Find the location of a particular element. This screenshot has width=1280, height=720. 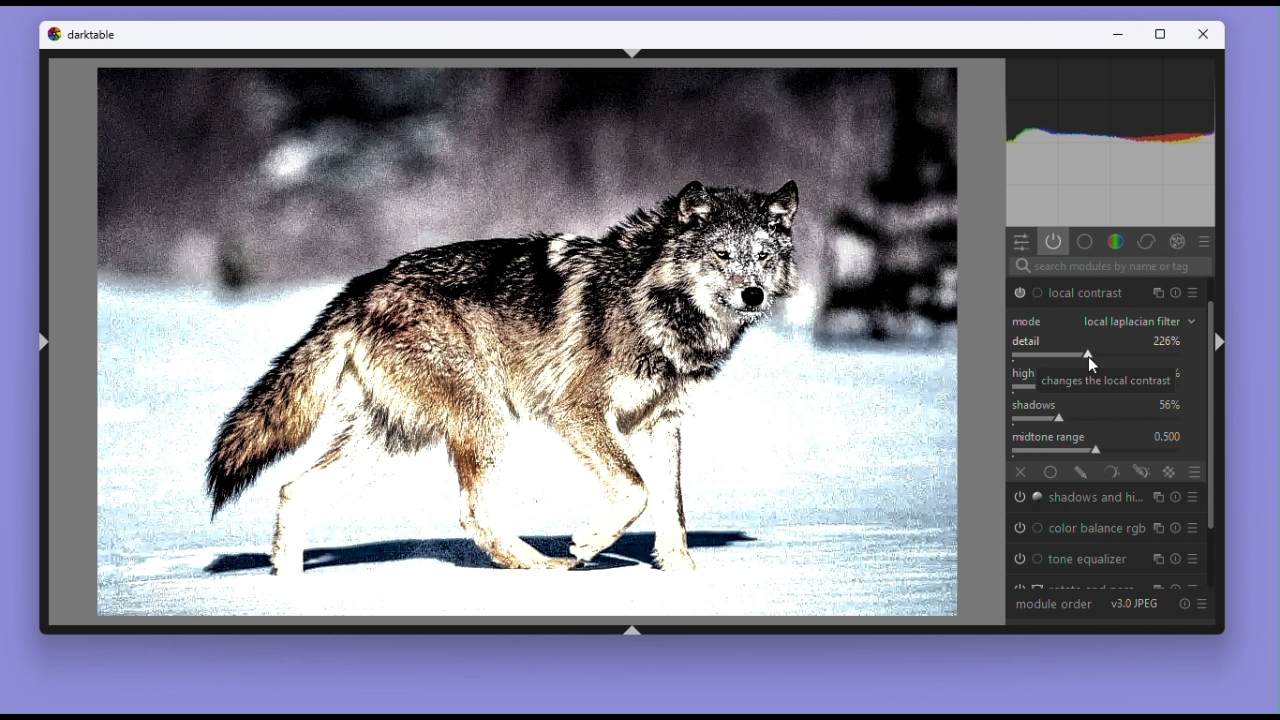

local contrast is located at coordinates (1086, 293).